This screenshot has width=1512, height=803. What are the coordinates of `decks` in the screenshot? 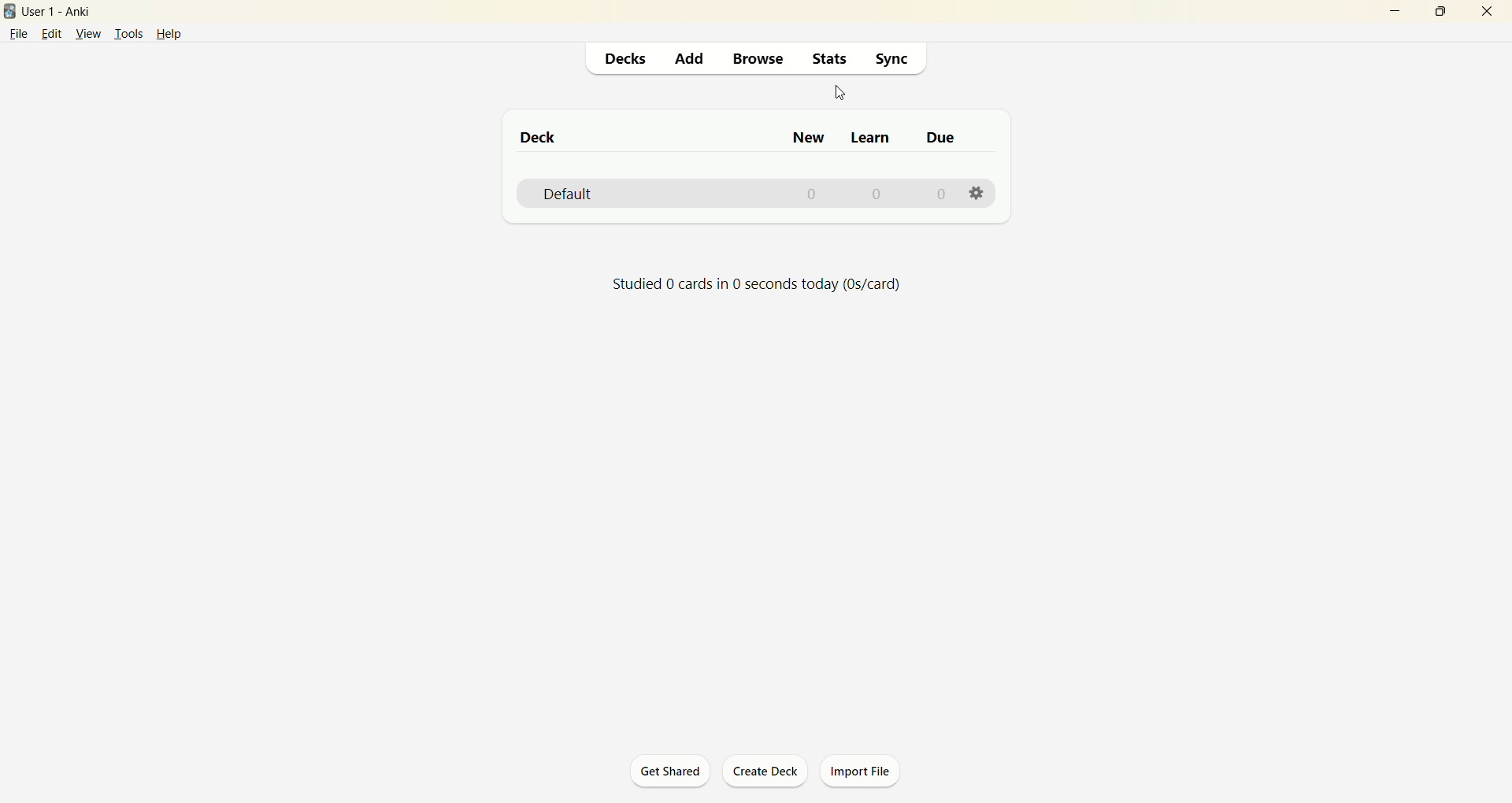 It's located at (621, 61).